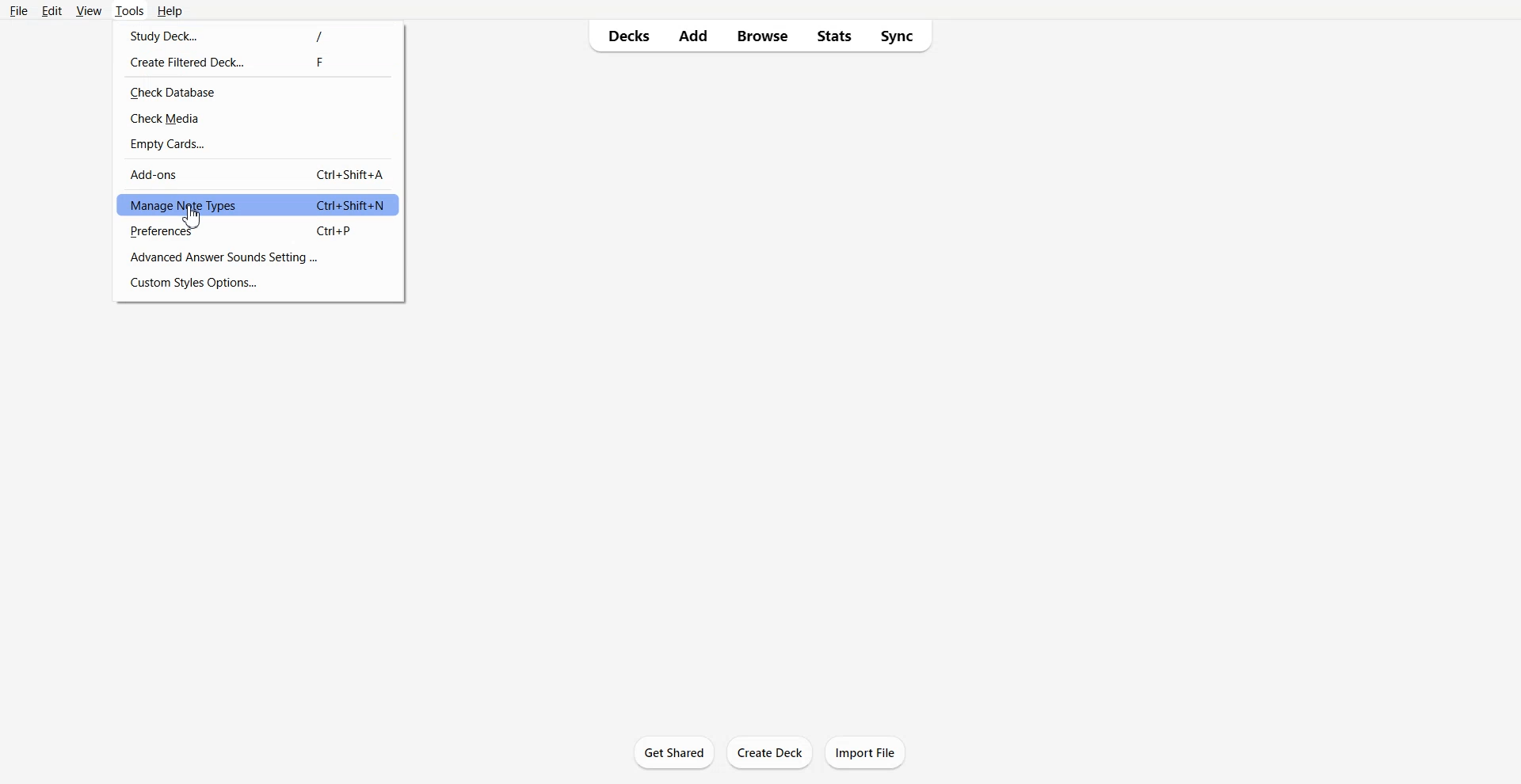  What do you see at coordinates (259, 284) in the screenshot?
I see `Custom Style Options` at bounding box center [259, 284].